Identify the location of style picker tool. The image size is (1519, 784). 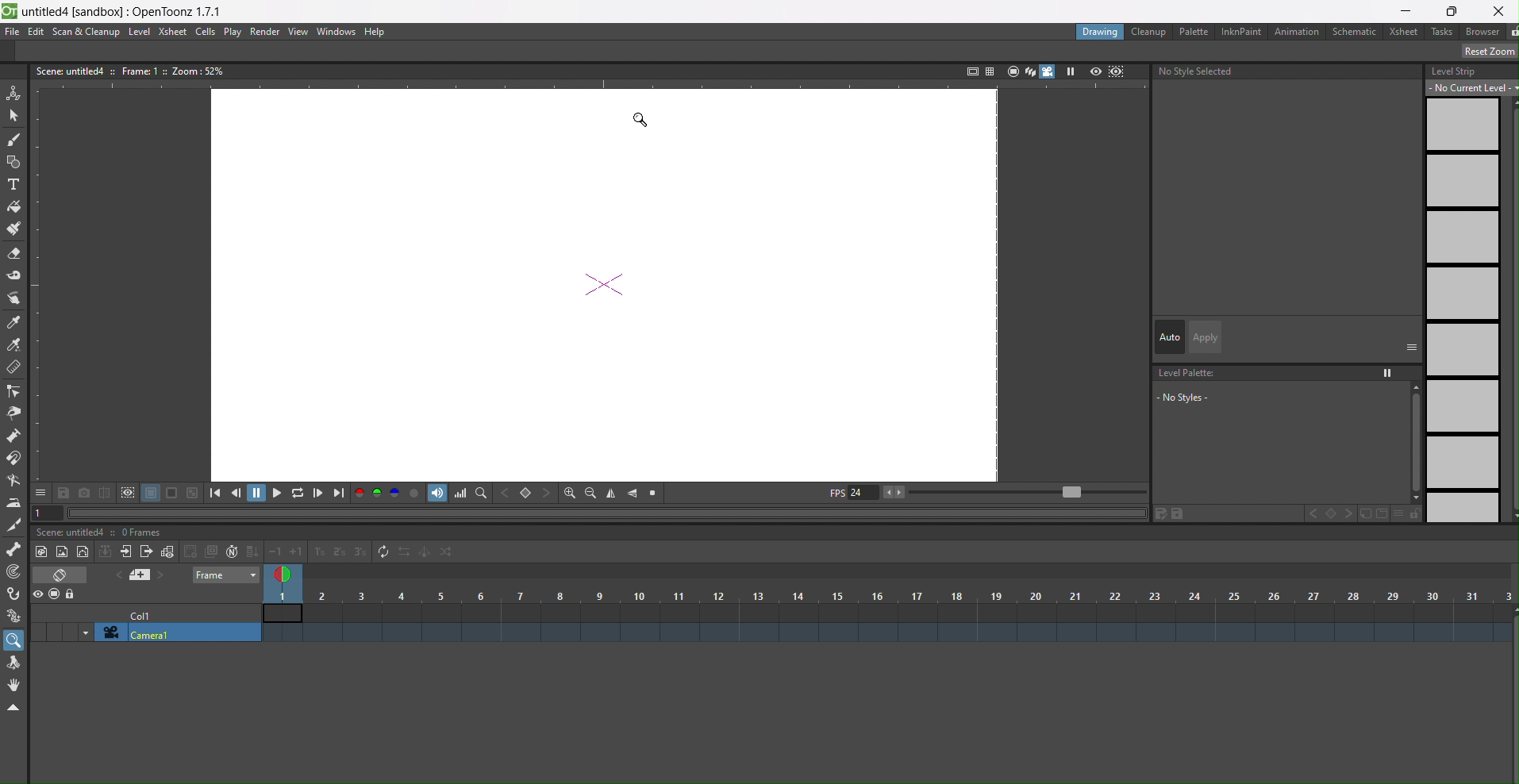
(17, 298).